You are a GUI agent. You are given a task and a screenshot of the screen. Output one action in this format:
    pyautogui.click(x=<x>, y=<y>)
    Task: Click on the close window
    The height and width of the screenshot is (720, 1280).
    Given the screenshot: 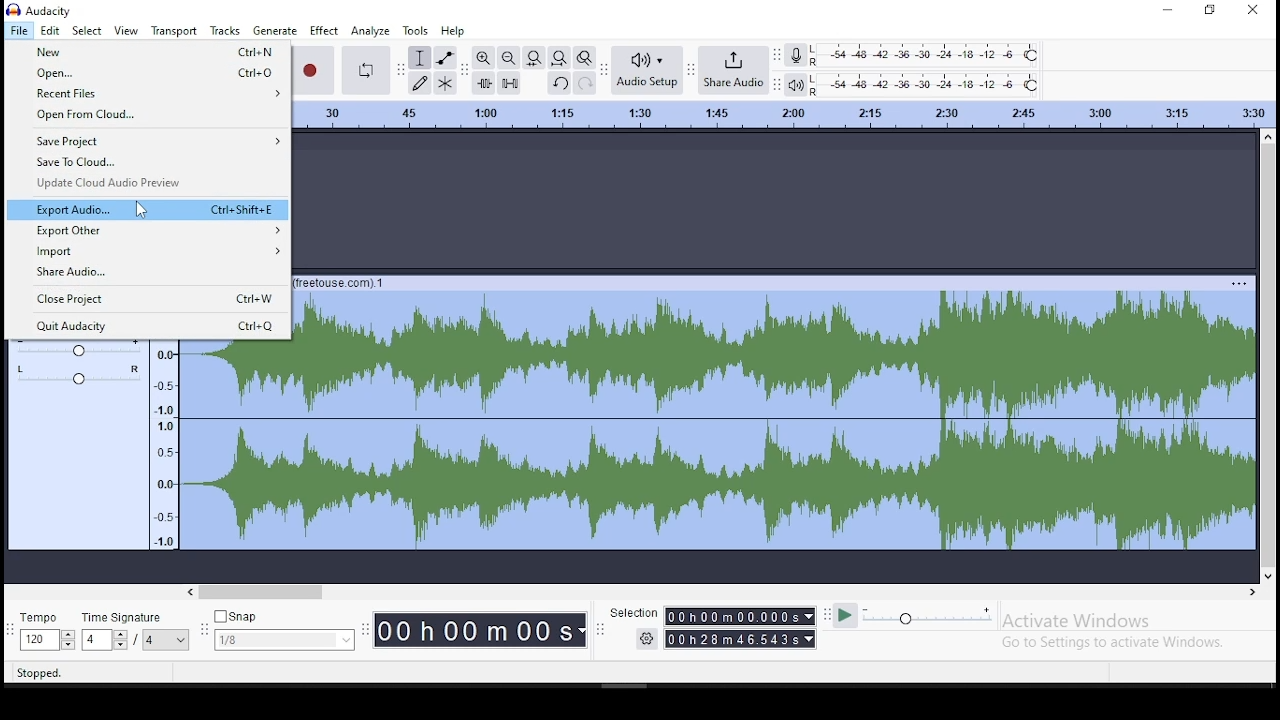 What is the action you would take?
    pyautogui.click(x=1257, y=10)
    